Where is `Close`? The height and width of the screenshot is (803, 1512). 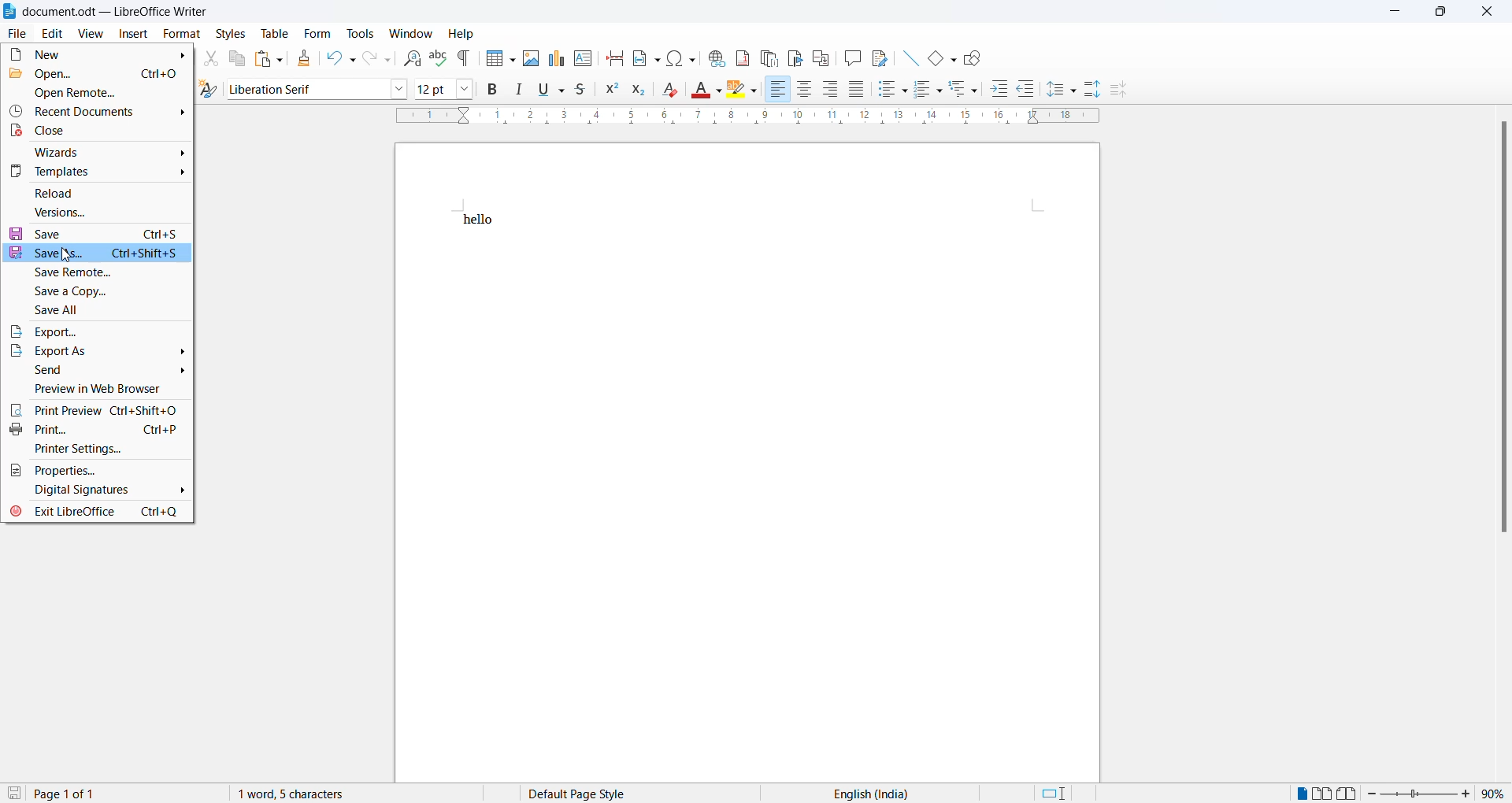 Close is located at coordinates (95, 132).